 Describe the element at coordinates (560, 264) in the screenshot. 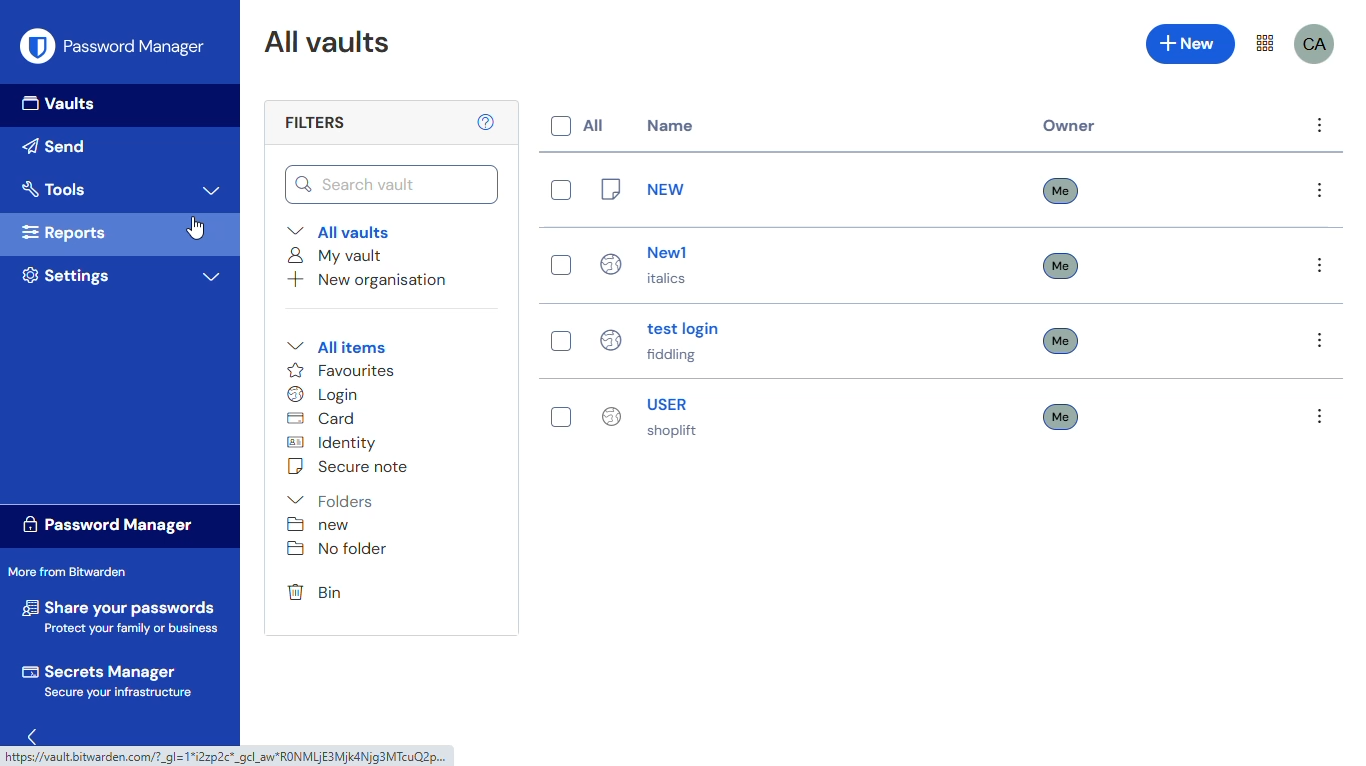

I see `checkbox` at that location.